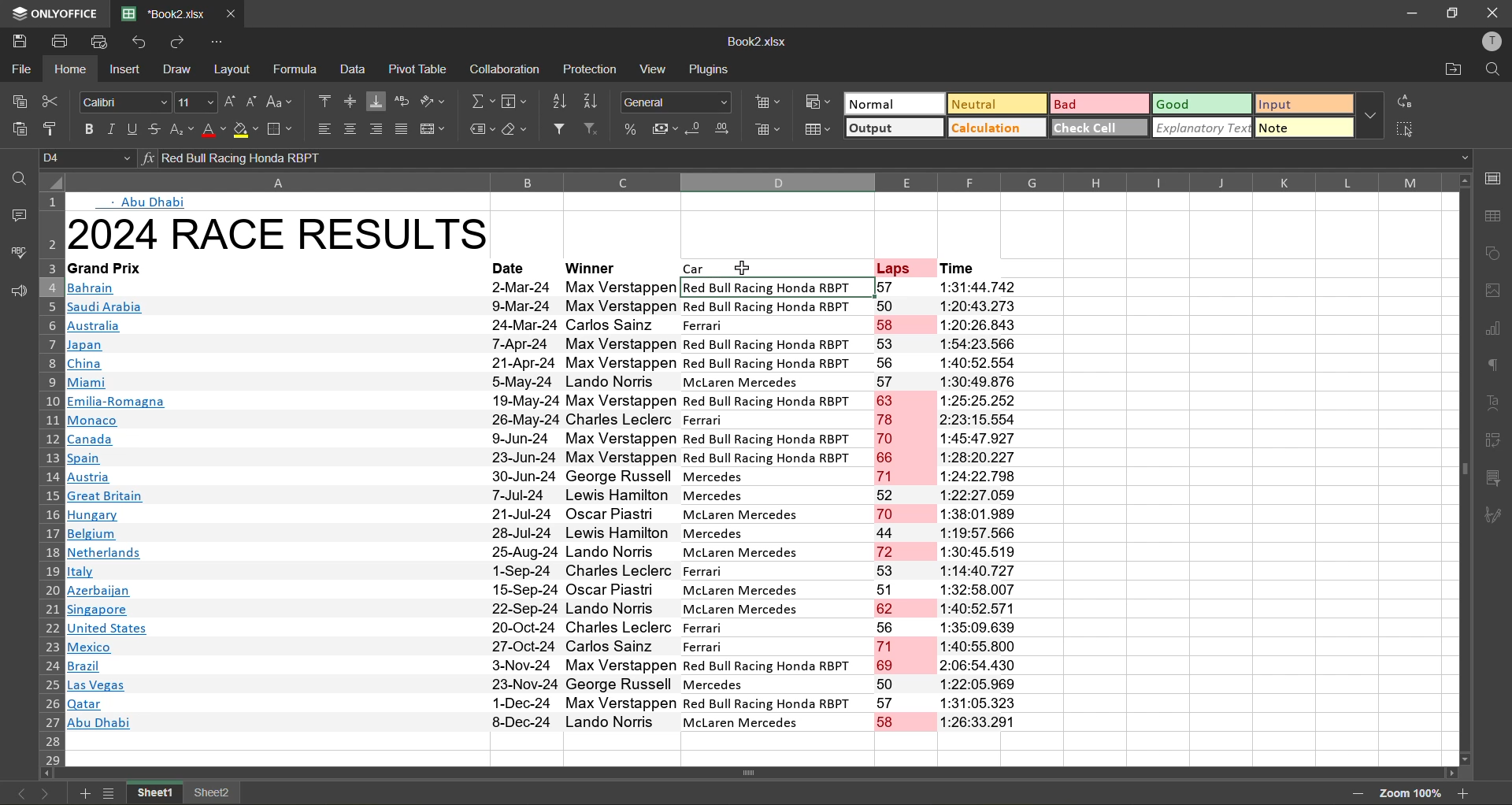  I want to click on data, so click(356, 71).